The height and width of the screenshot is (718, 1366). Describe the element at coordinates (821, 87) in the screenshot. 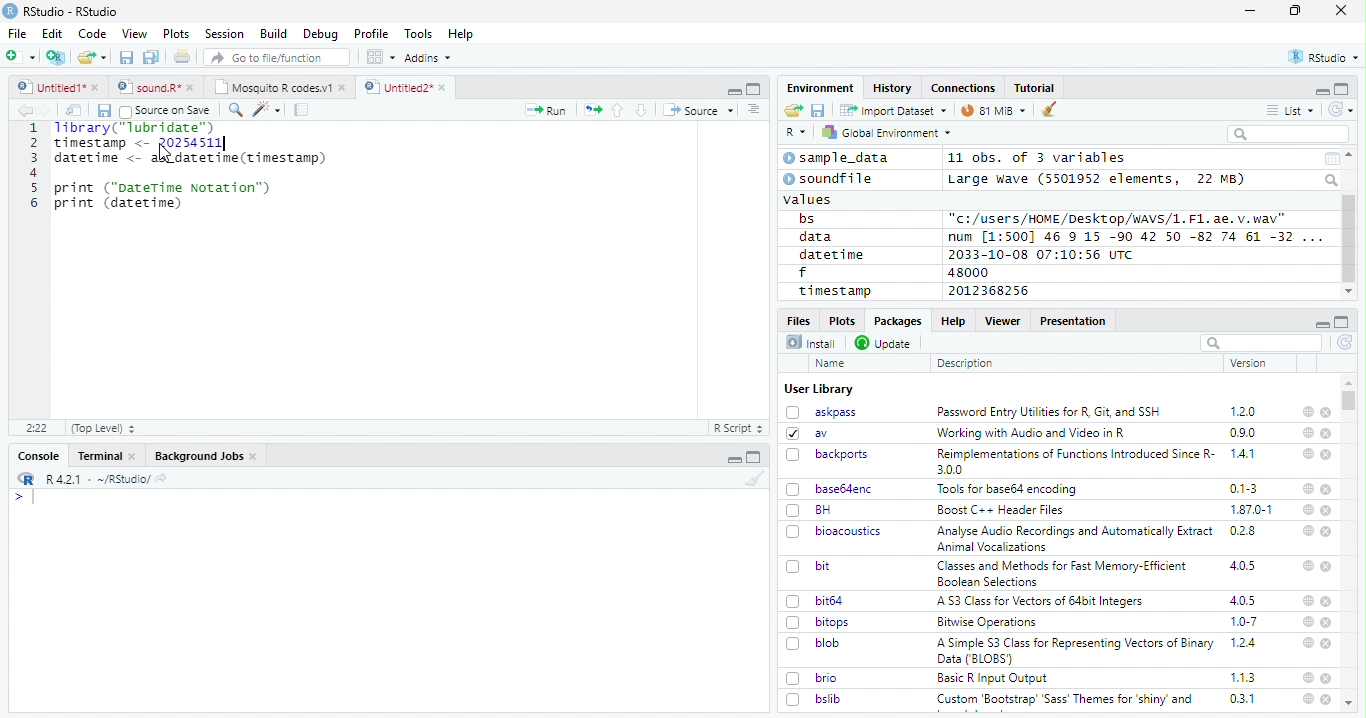

I see `Environment` at that location.